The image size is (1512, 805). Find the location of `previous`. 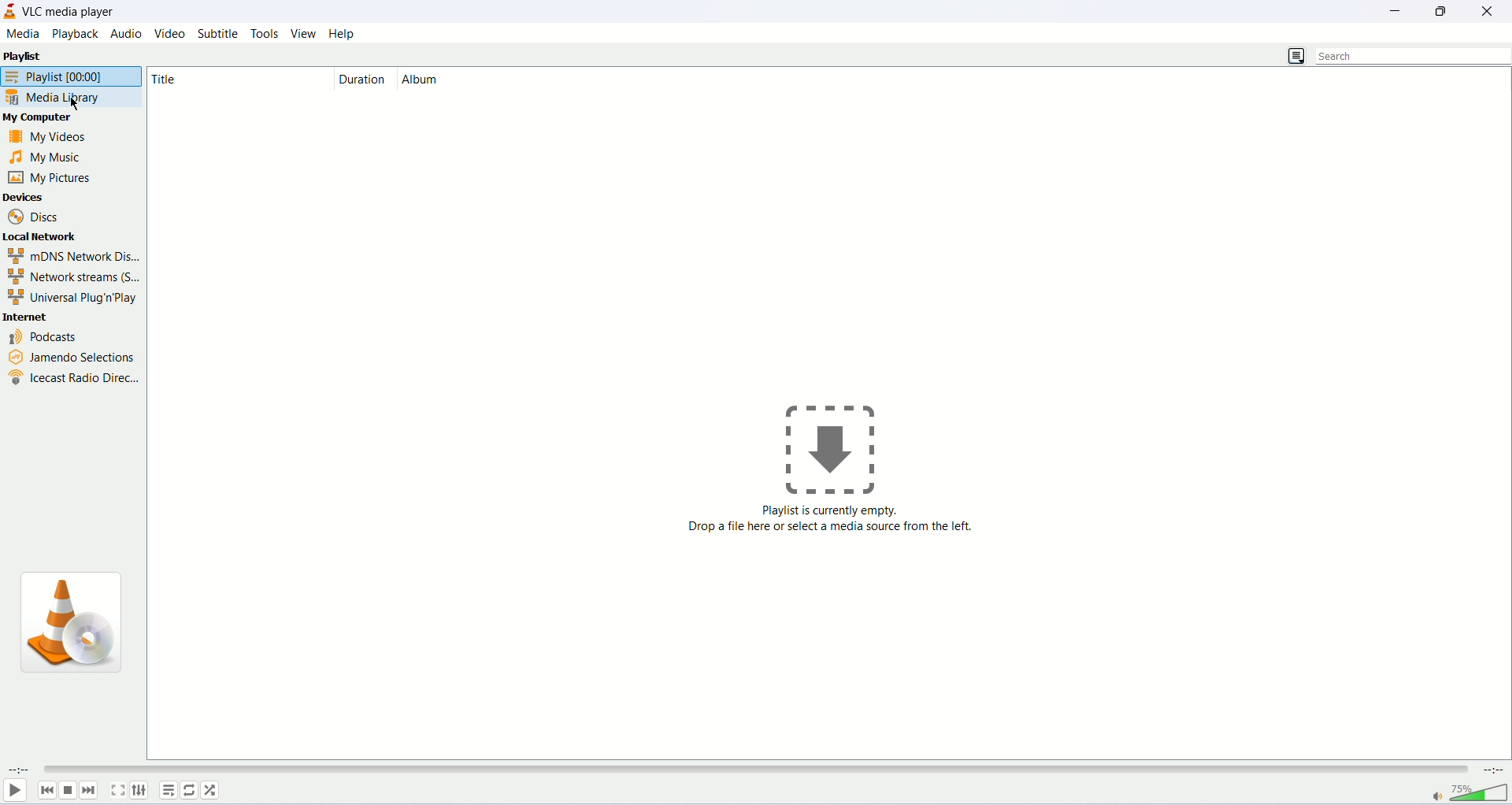

previous is located at coordinates (47, 790).